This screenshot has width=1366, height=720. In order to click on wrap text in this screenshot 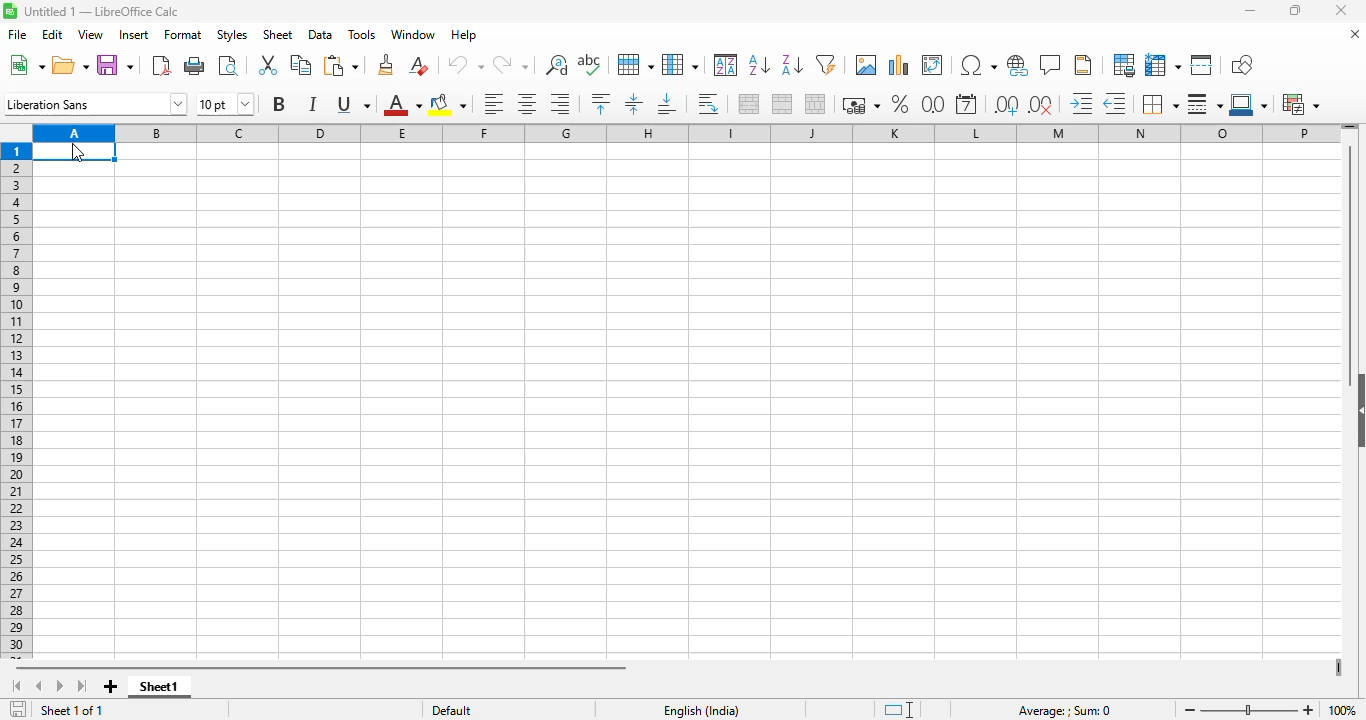, I will do `click(709, 105)`.